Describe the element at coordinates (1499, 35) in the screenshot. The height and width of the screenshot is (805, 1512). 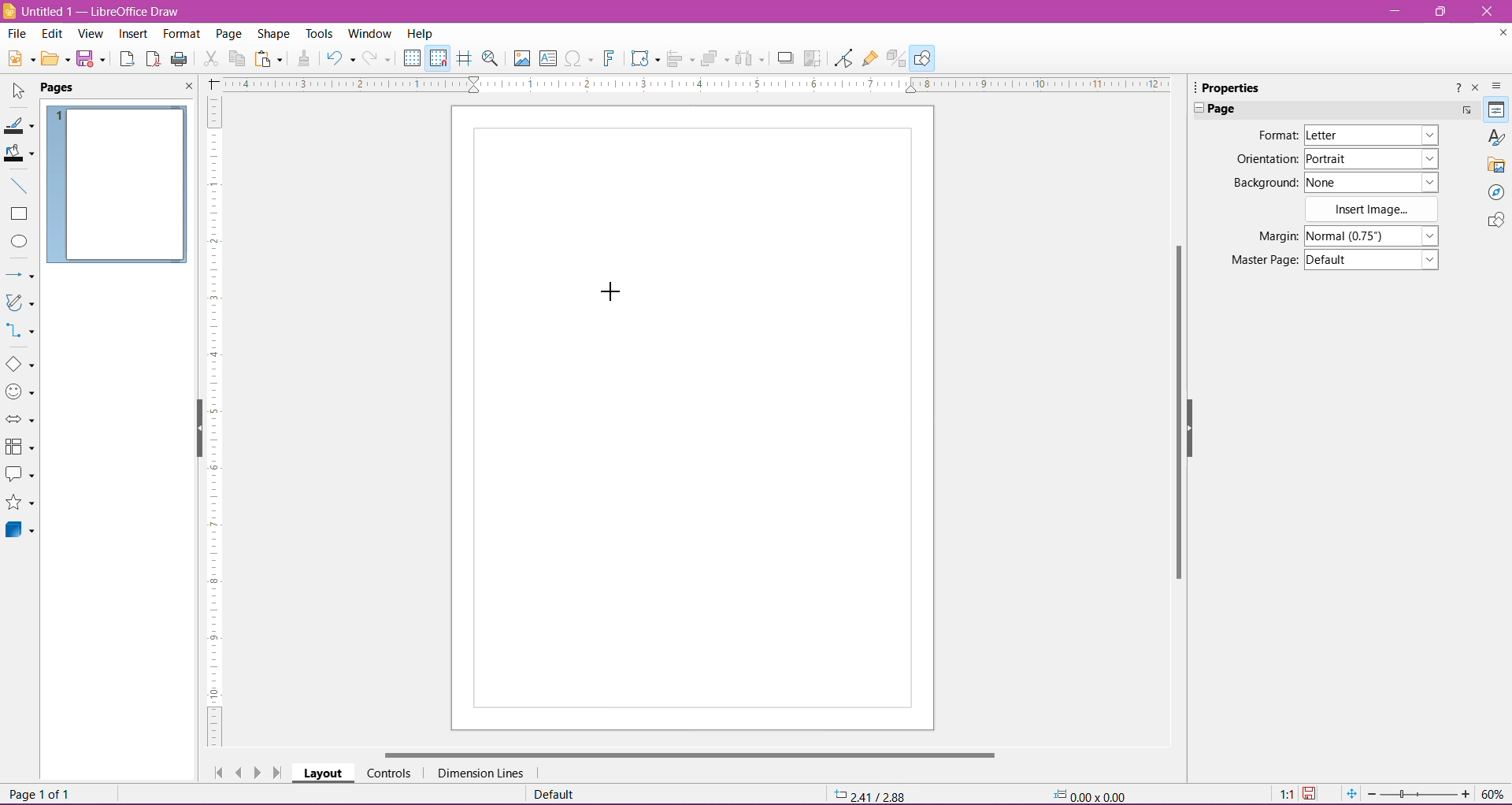
I see `Close Document` at that location.